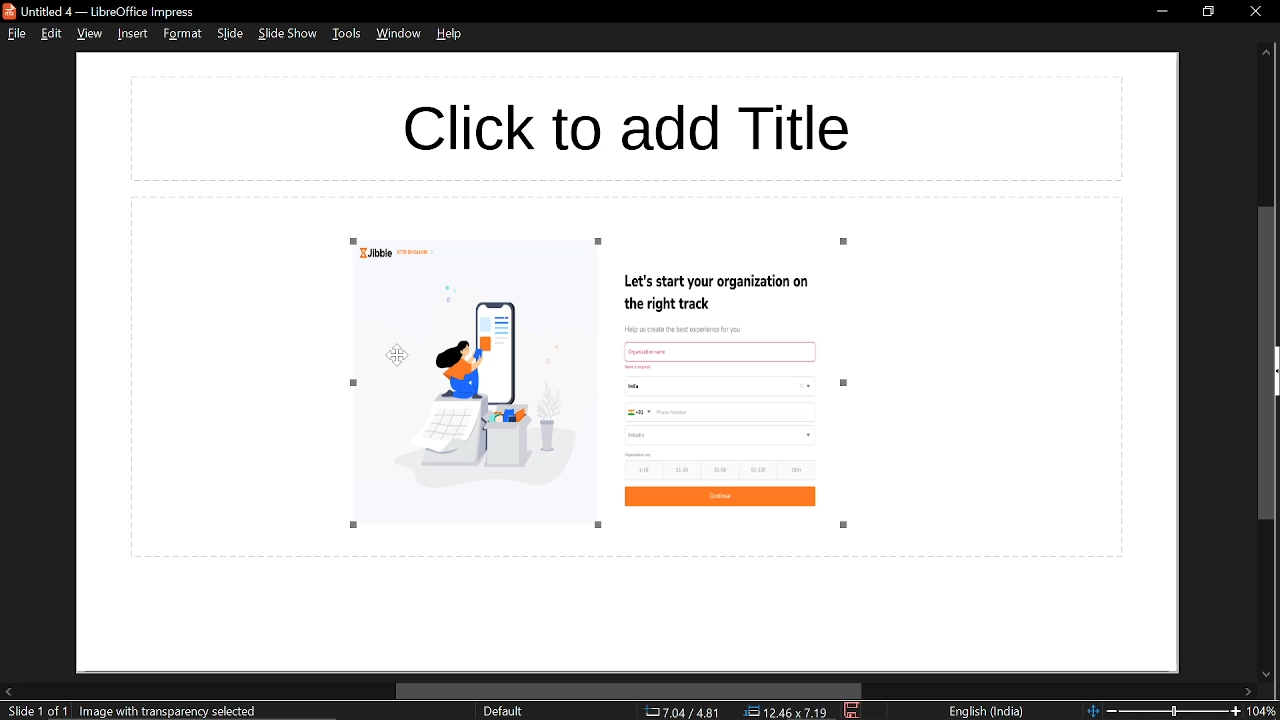 The image size is (1280, 720). I want to click on window, so click(397, 36).